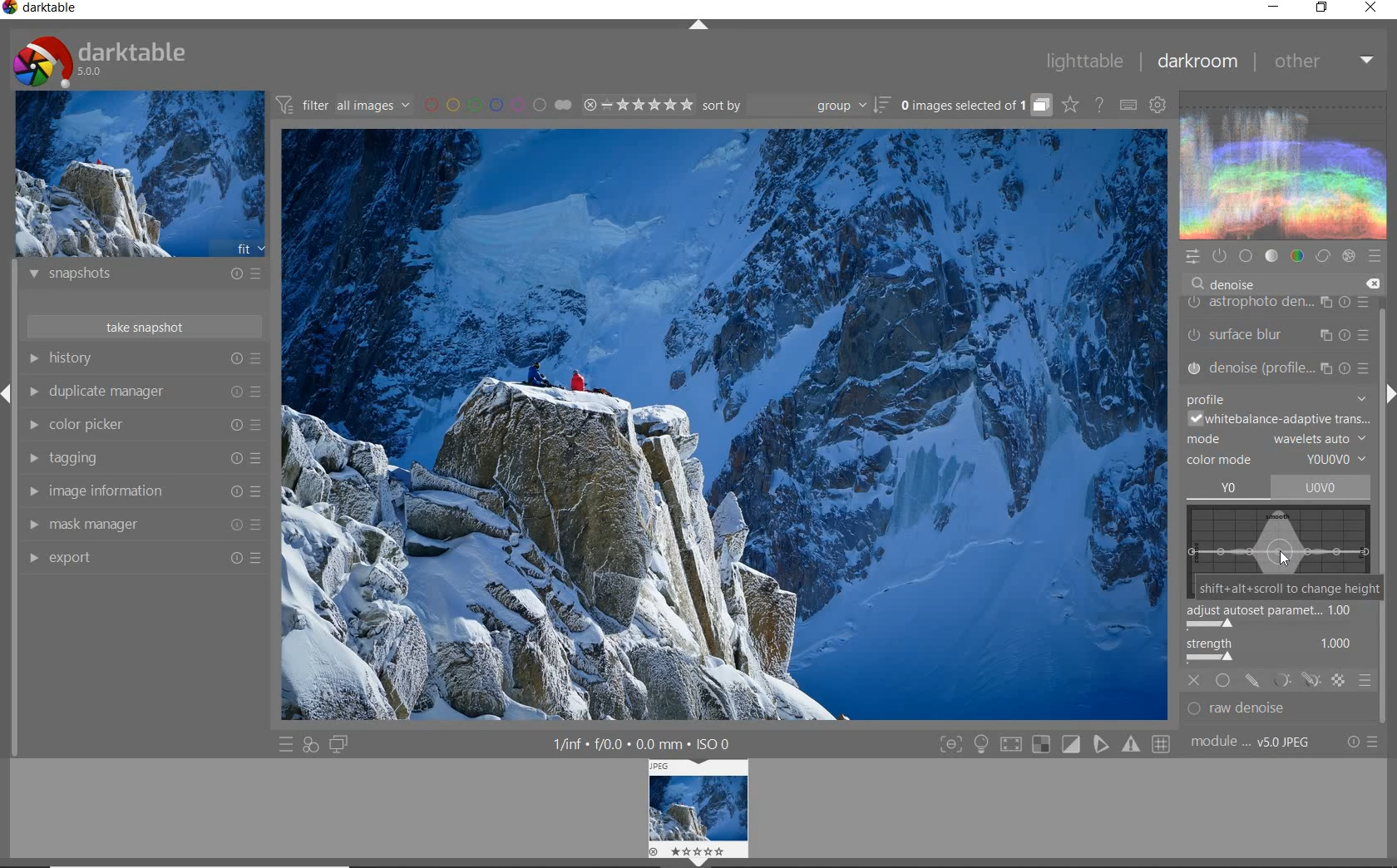 The width and height of the screenshot is (1397, 868). What do you see at coordinates (1375, 253) in the screenshot?
I see `presets` at bounding box center [1375, 253].